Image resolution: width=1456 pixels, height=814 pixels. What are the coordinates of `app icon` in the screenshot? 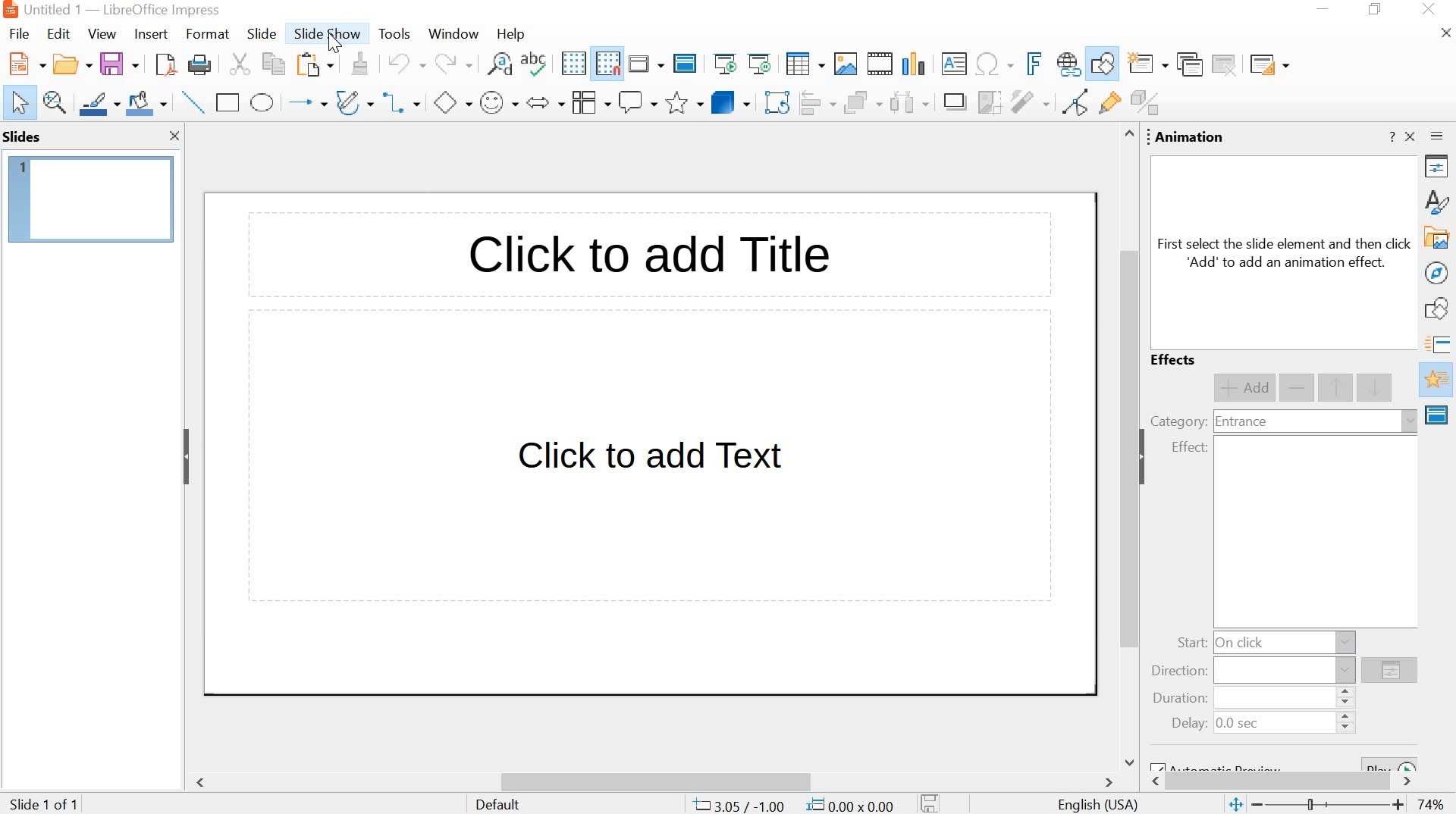 It's located at (9, 10).